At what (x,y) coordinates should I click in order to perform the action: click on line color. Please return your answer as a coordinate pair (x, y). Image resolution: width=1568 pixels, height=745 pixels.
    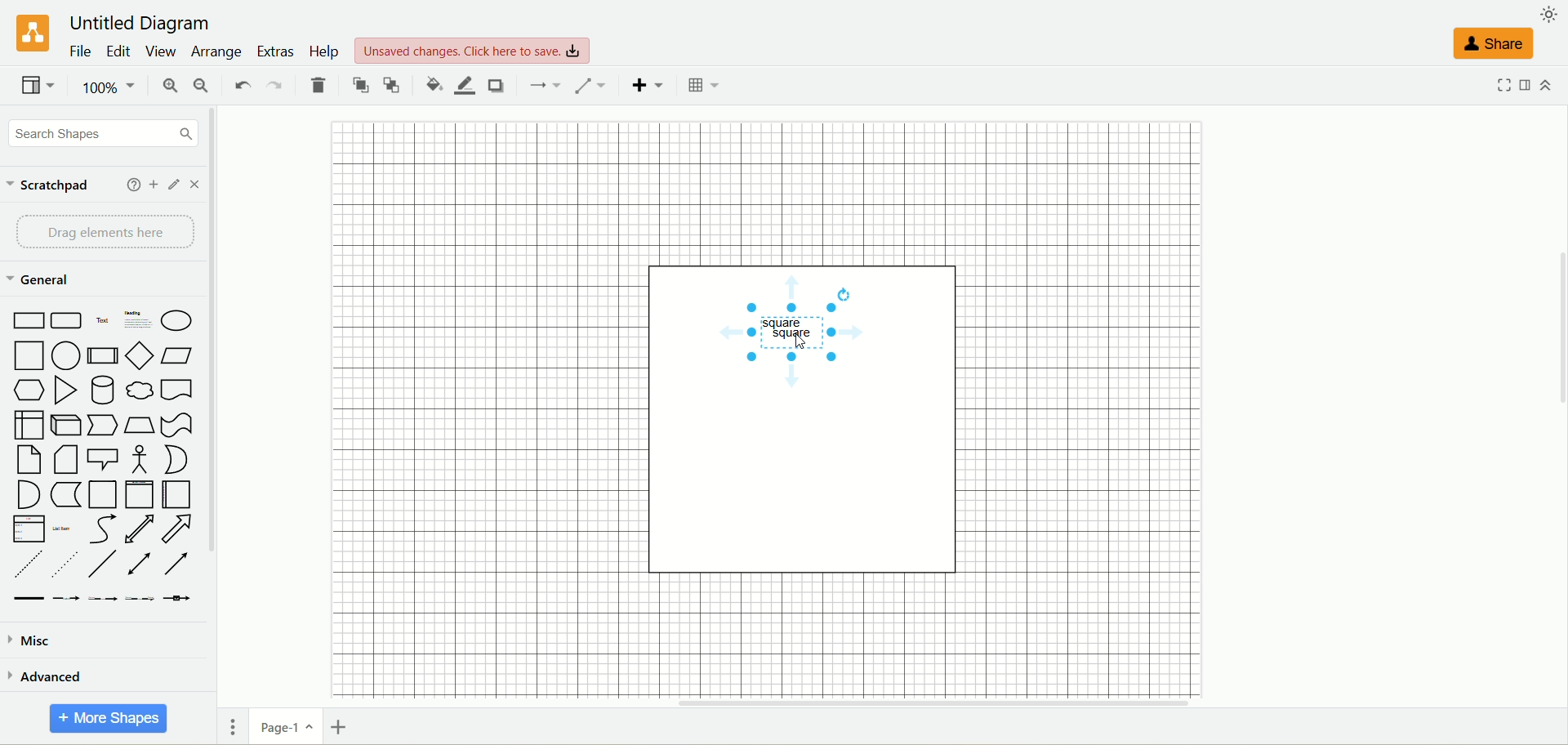
    Looking at the image, I should click on (464, 85).